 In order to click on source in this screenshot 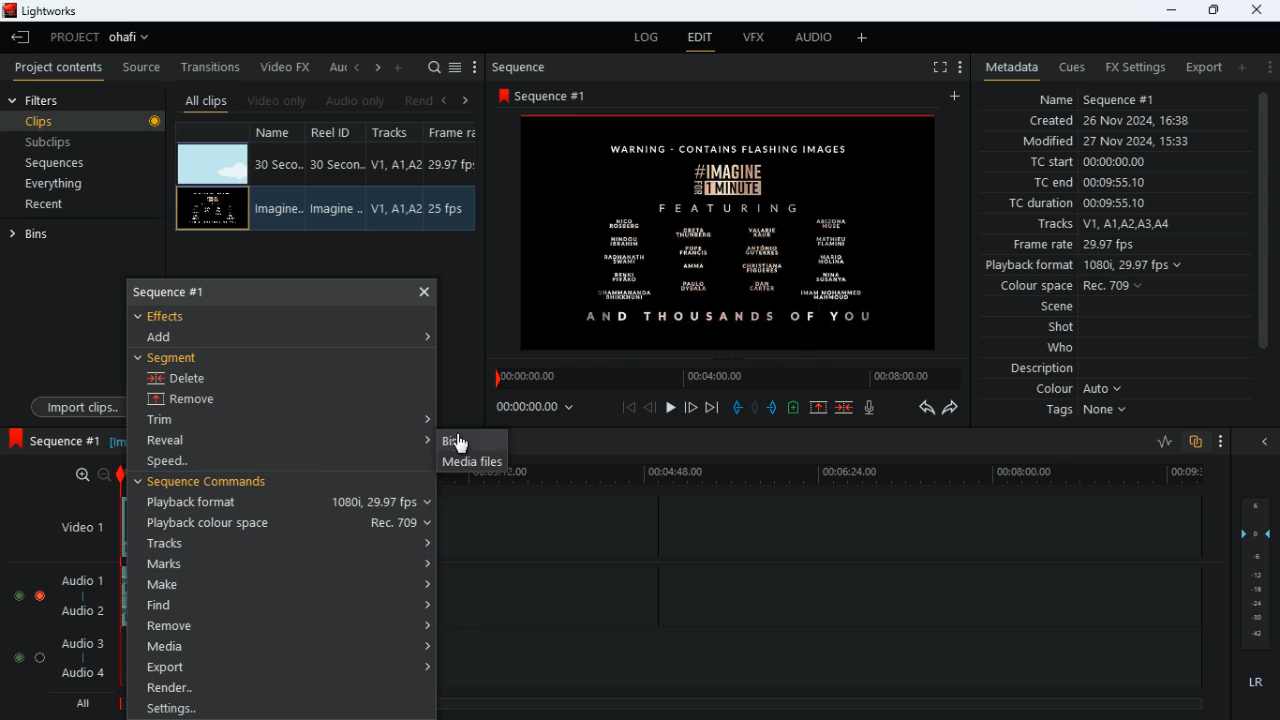, I will do `click(142, 68)`.